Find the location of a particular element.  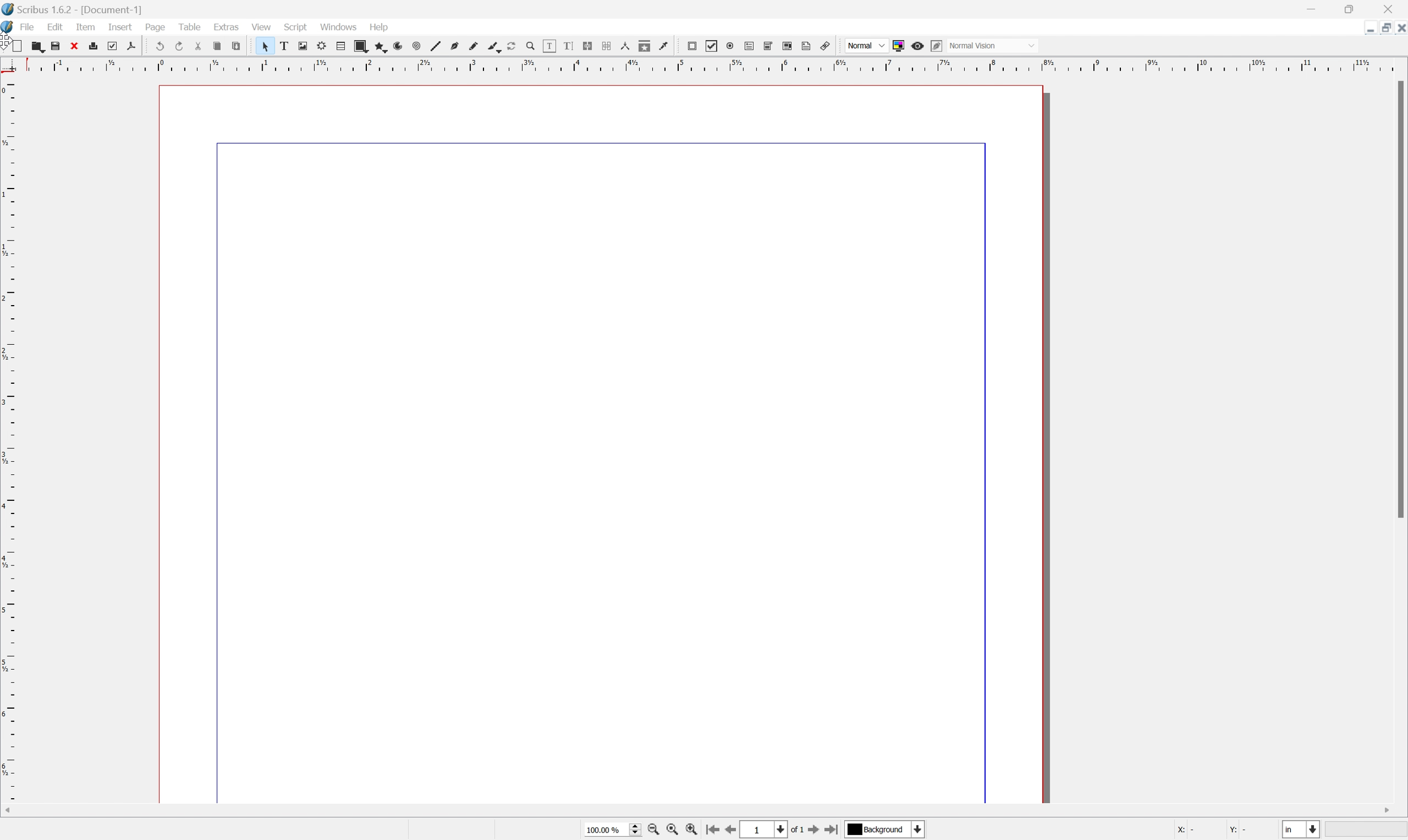

spiral is located at coordinates (416, 44).